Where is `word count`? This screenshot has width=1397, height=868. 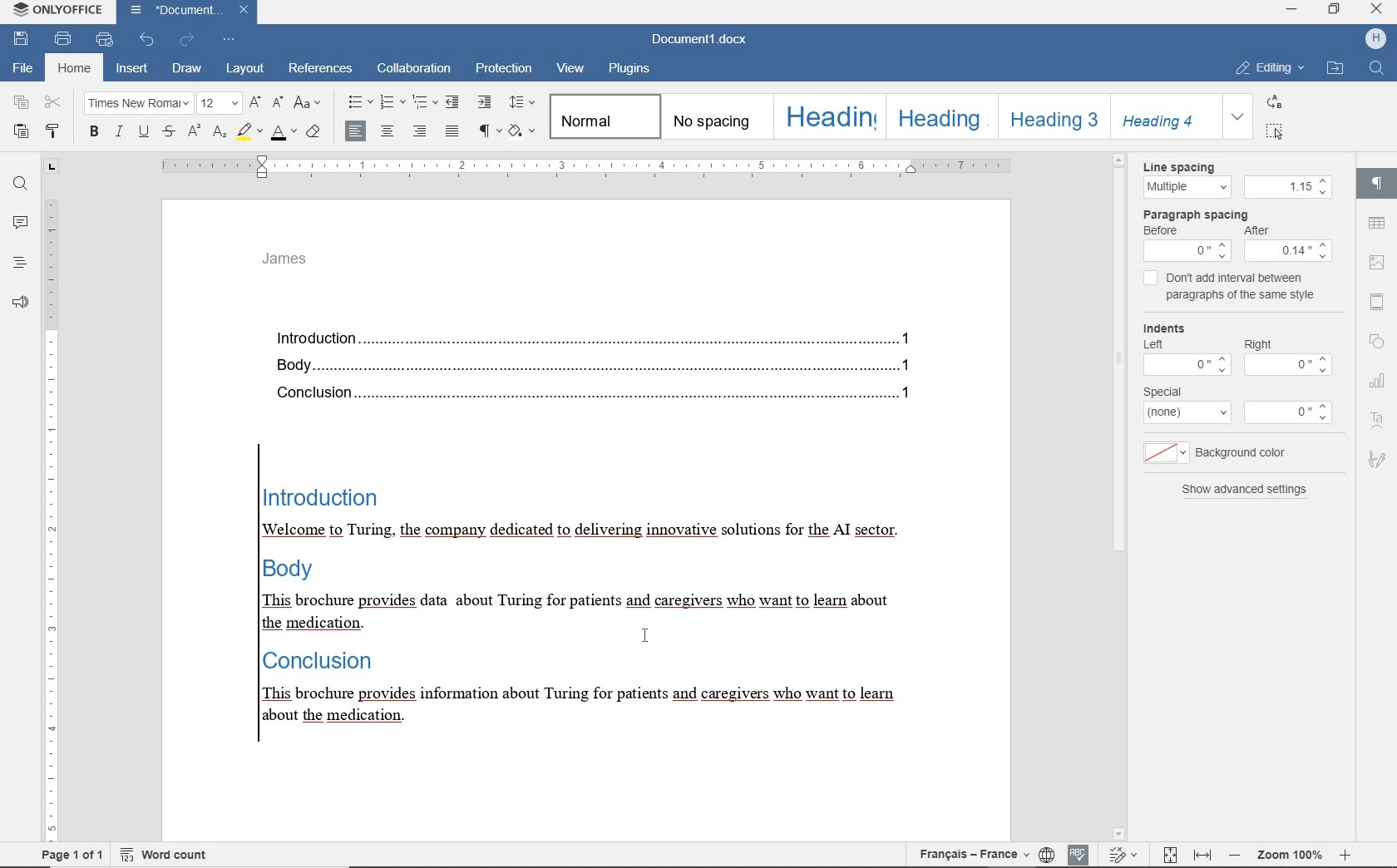 word count is located at coordinates (167, 856).